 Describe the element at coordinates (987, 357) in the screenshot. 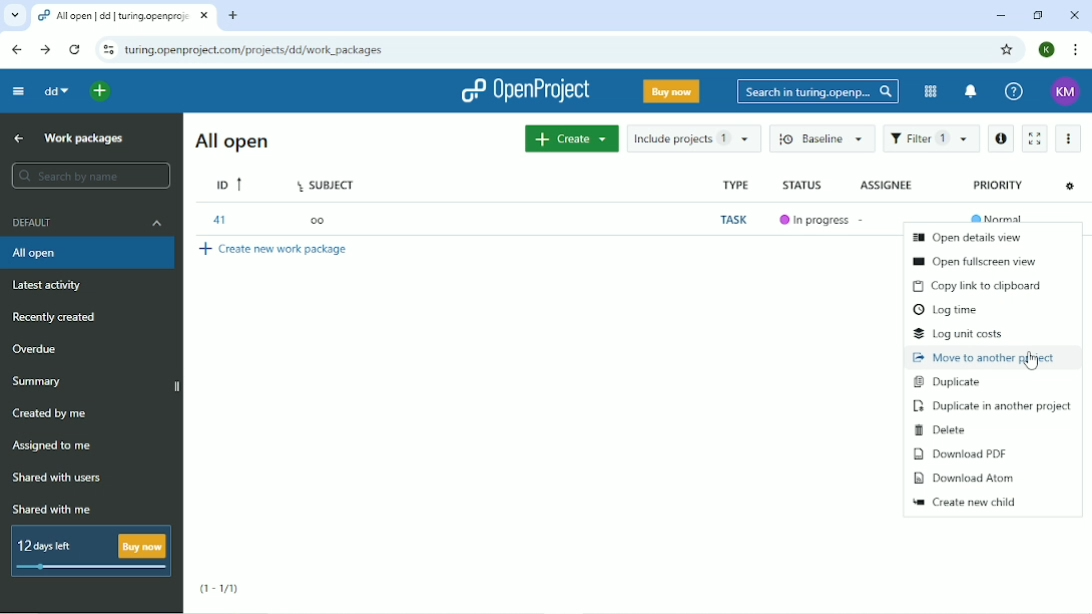

I see `Move to another project` at that location.